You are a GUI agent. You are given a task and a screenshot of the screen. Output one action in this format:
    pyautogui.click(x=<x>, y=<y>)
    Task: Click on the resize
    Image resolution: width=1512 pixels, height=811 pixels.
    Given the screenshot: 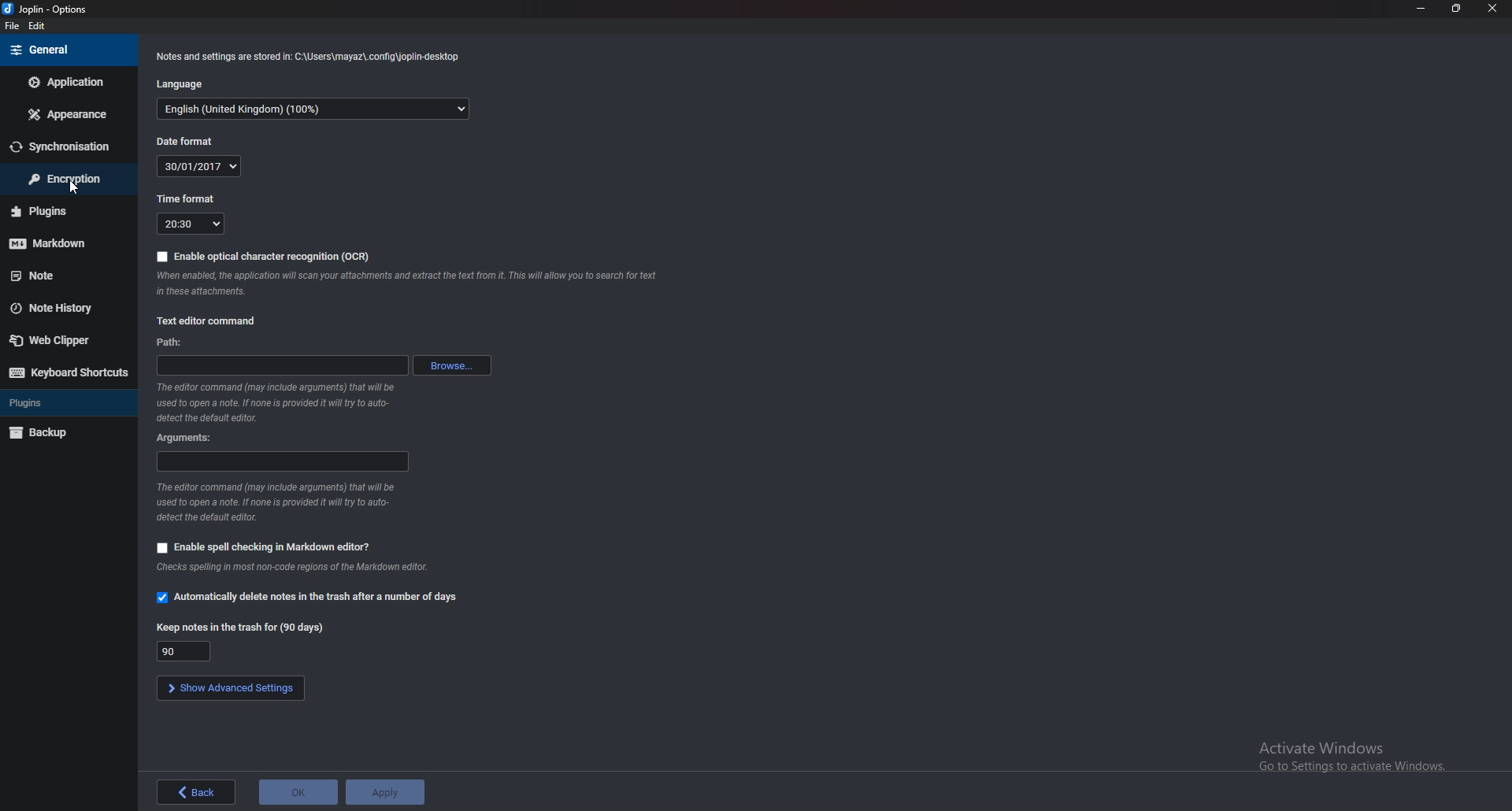 What is the action you would take?
    pyautogui.click(x=1456, y=8)
    